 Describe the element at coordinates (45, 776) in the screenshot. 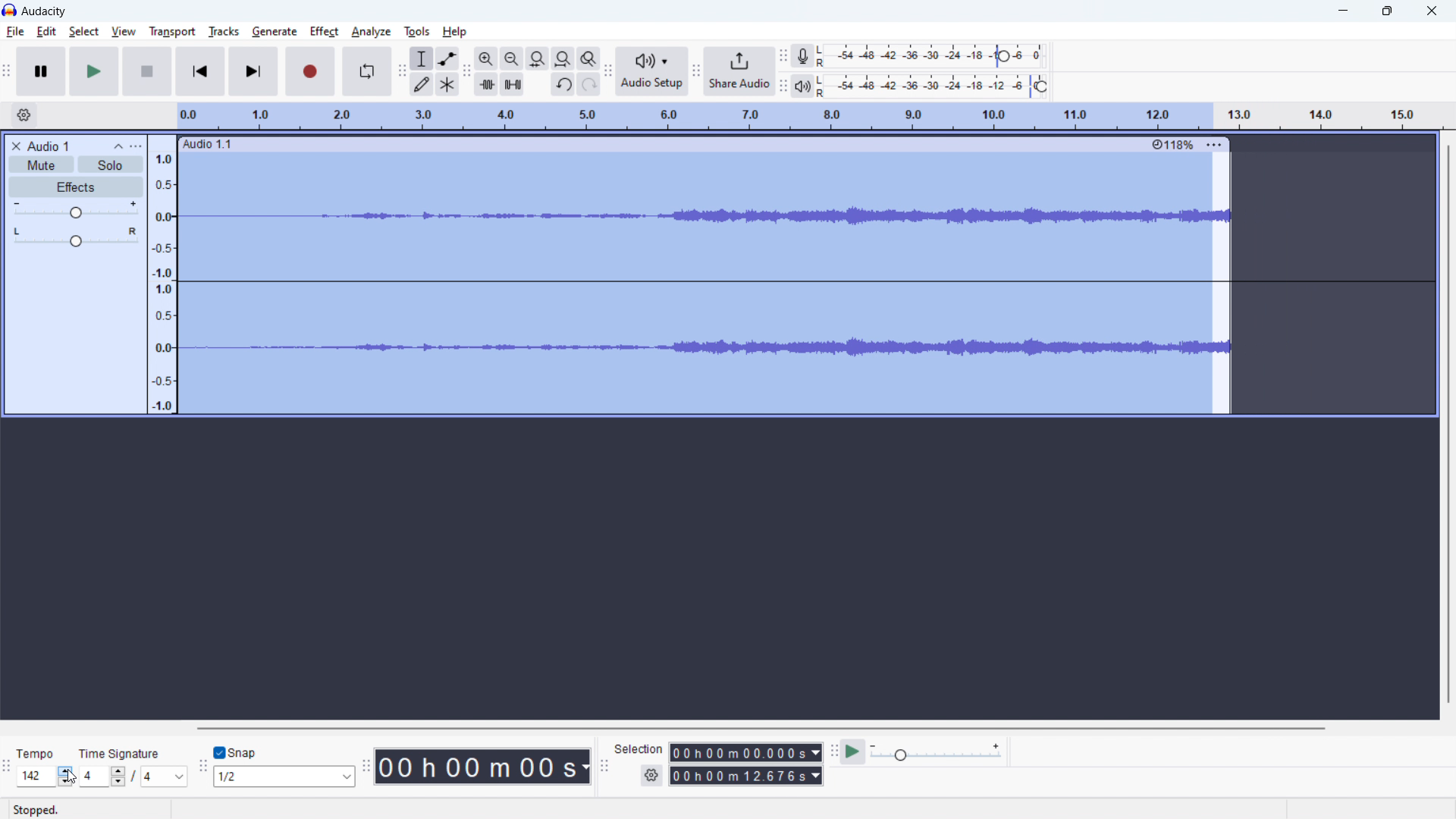

I see `tempo increased` at that location.